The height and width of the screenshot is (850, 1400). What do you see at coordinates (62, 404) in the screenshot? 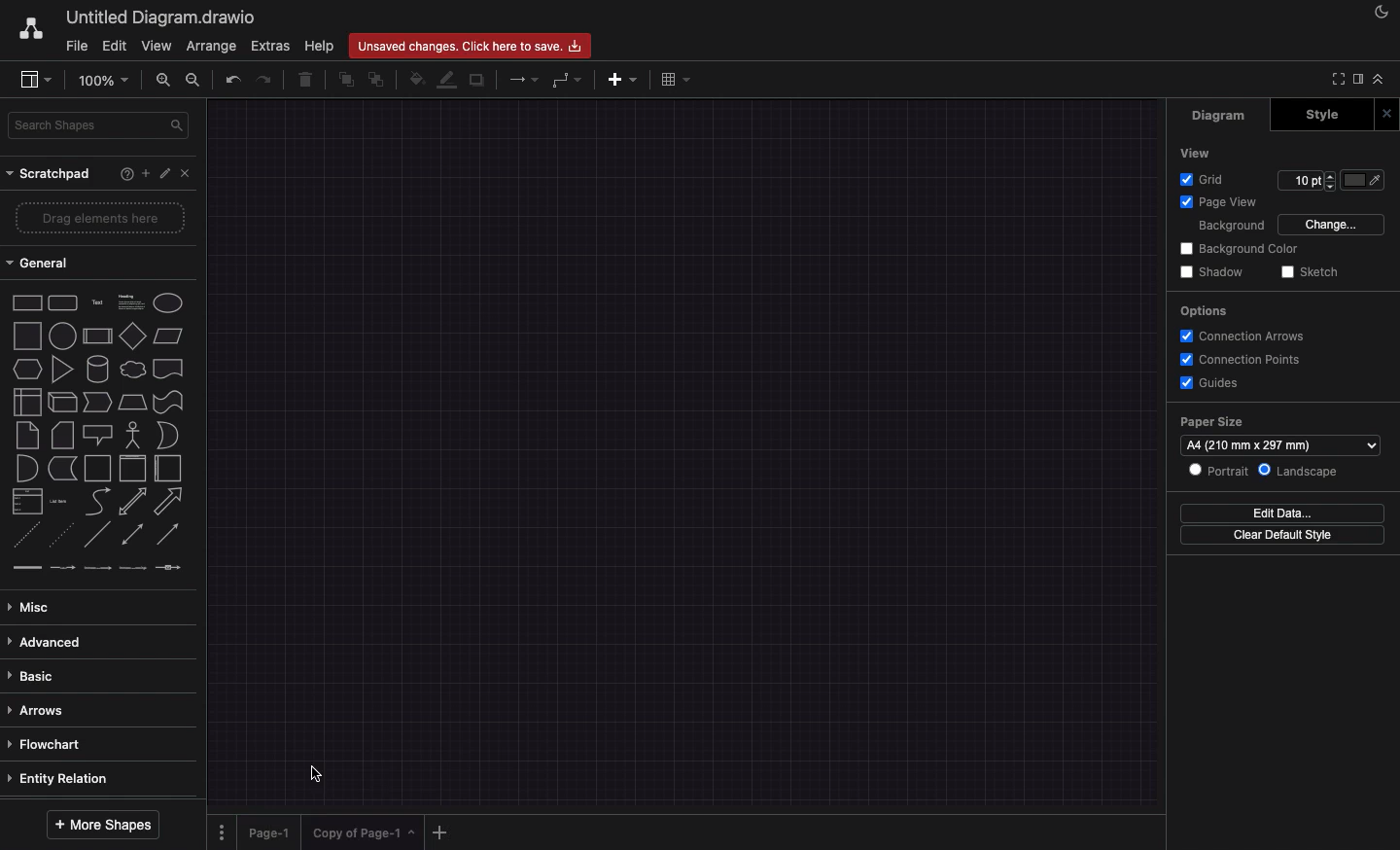
I see `cube` at bounding box center [62, 404].